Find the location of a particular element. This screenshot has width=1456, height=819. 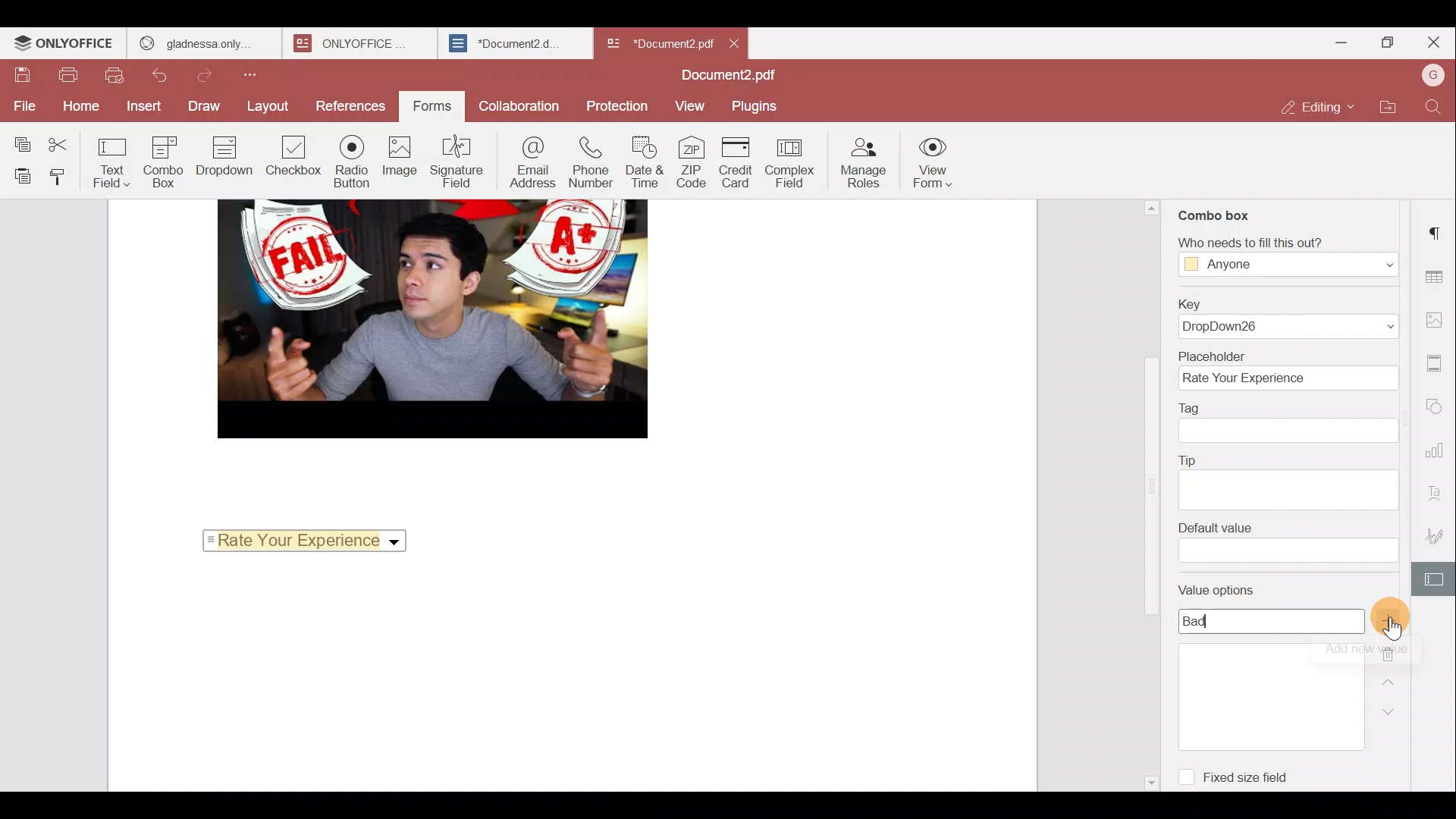

File is located at coordinates (21, 105).